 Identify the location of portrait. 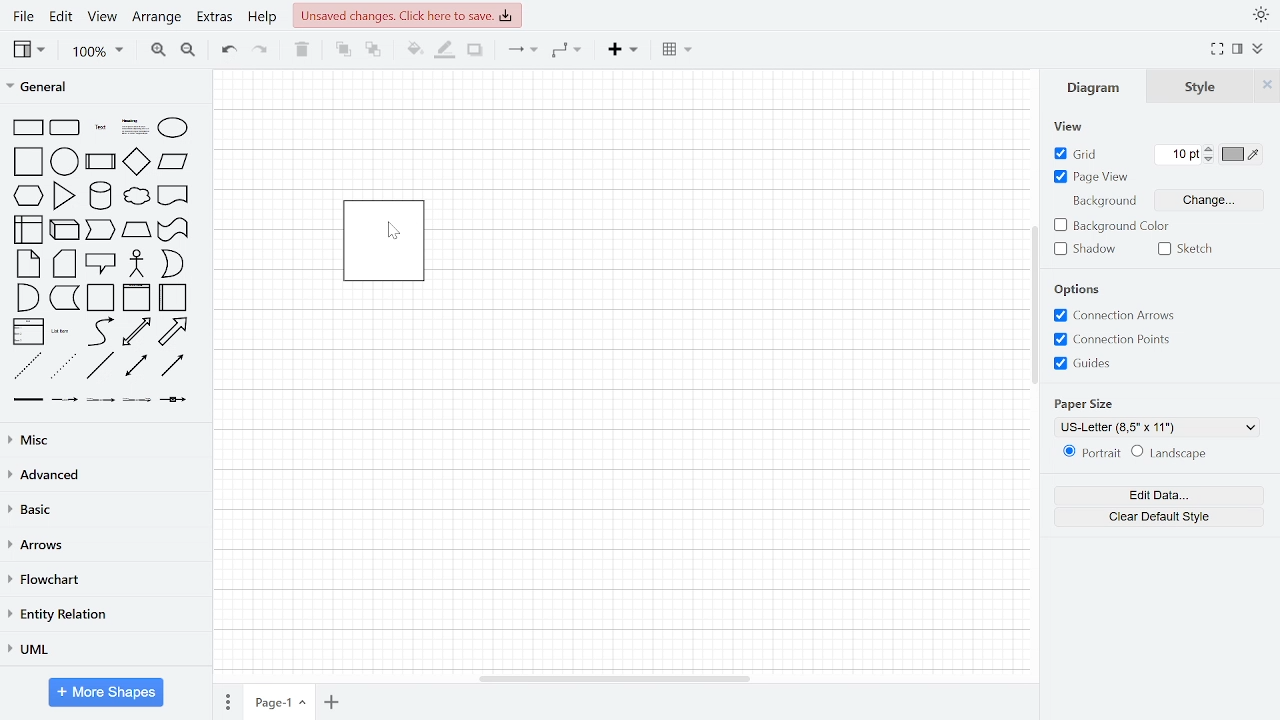
(1093, 452).